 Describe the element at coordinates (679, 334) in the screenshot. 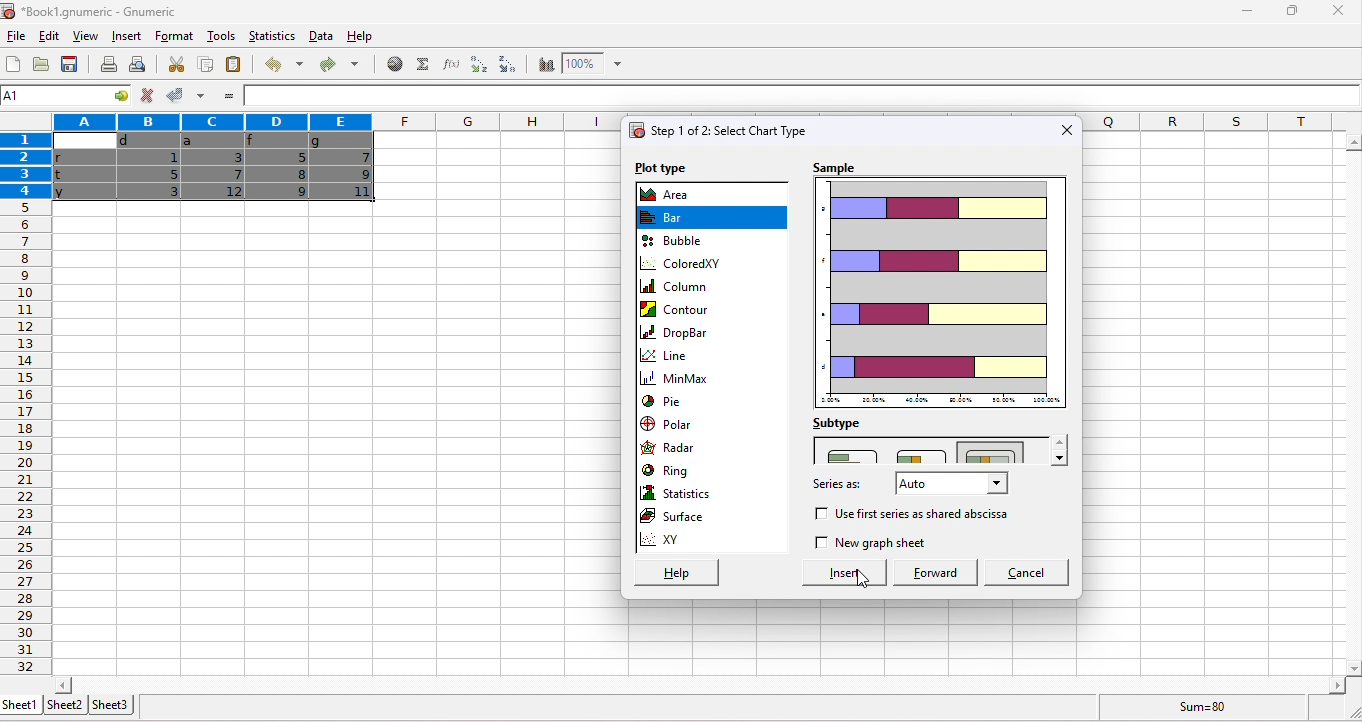

I see `drop bar` at that location.